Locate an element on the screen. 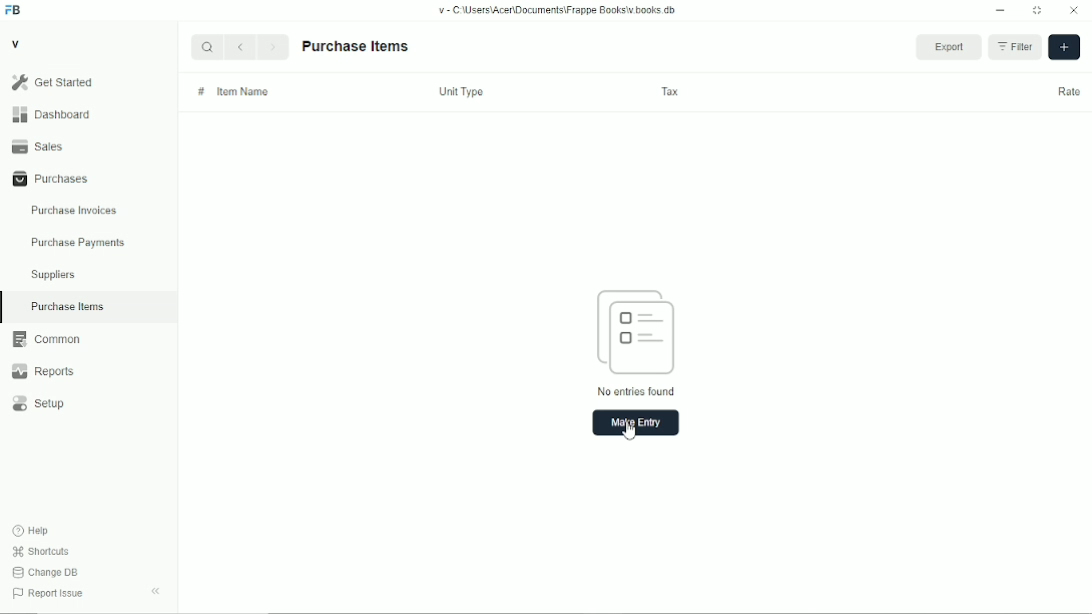 This screenshot has height=614, width=1092. rate is located at coordinates (1064, 91).